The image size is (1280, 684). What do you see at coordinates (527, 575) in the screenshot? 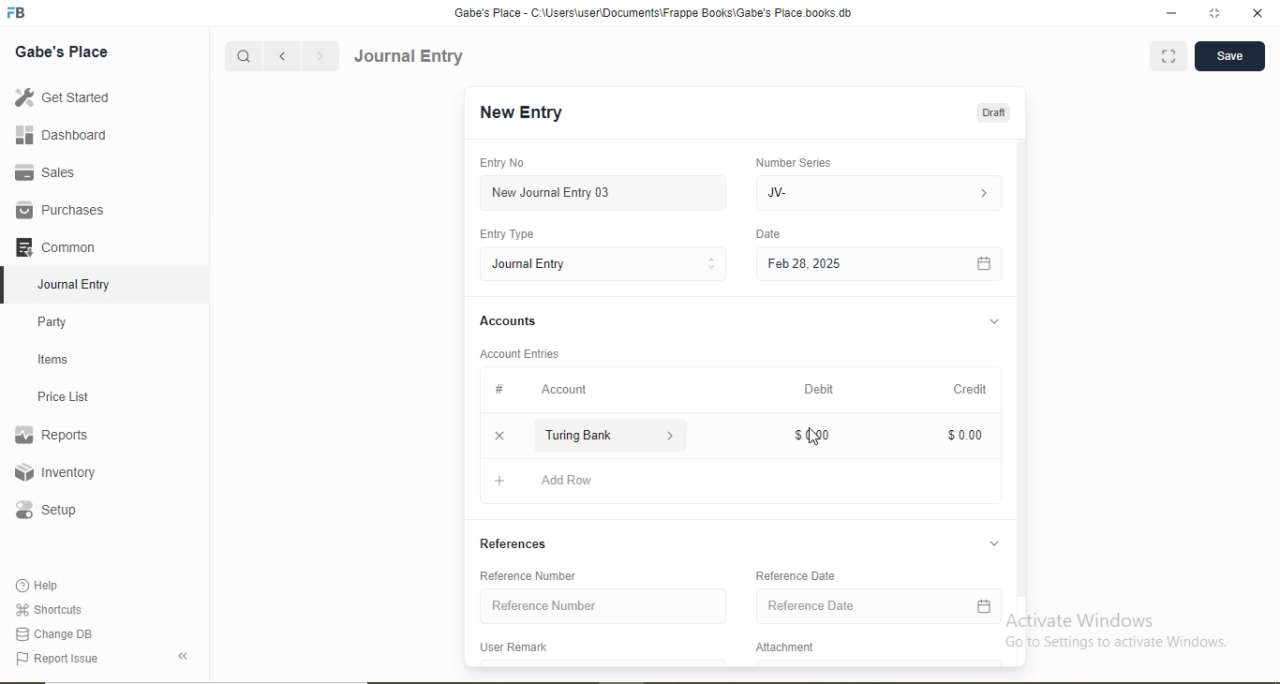
I see `Reference Number` at bounding box center [527, 575].